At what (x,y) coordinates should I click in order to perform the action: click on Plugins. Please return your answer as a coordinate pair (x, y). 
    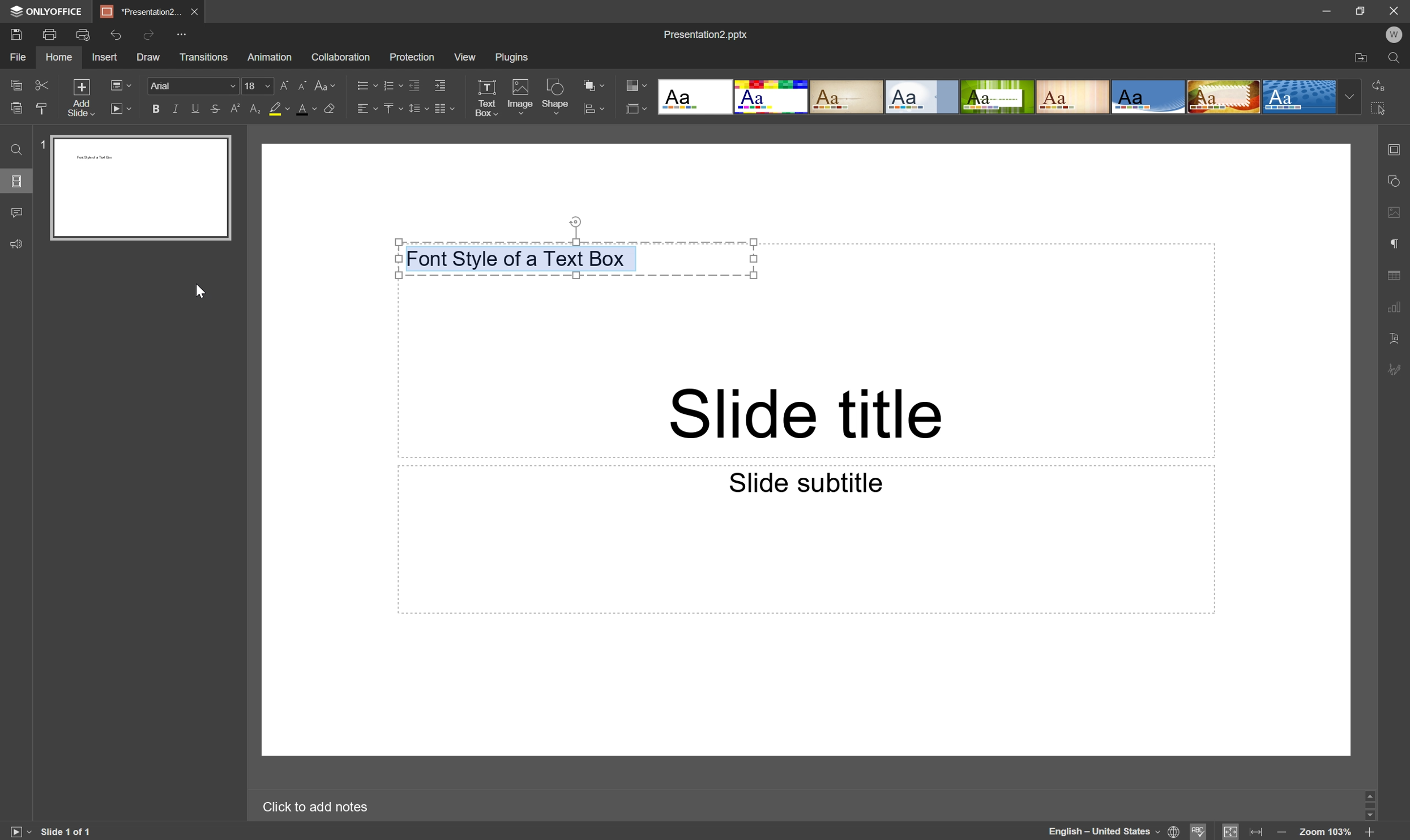
    Looking at the image, I should click on (512, 57).